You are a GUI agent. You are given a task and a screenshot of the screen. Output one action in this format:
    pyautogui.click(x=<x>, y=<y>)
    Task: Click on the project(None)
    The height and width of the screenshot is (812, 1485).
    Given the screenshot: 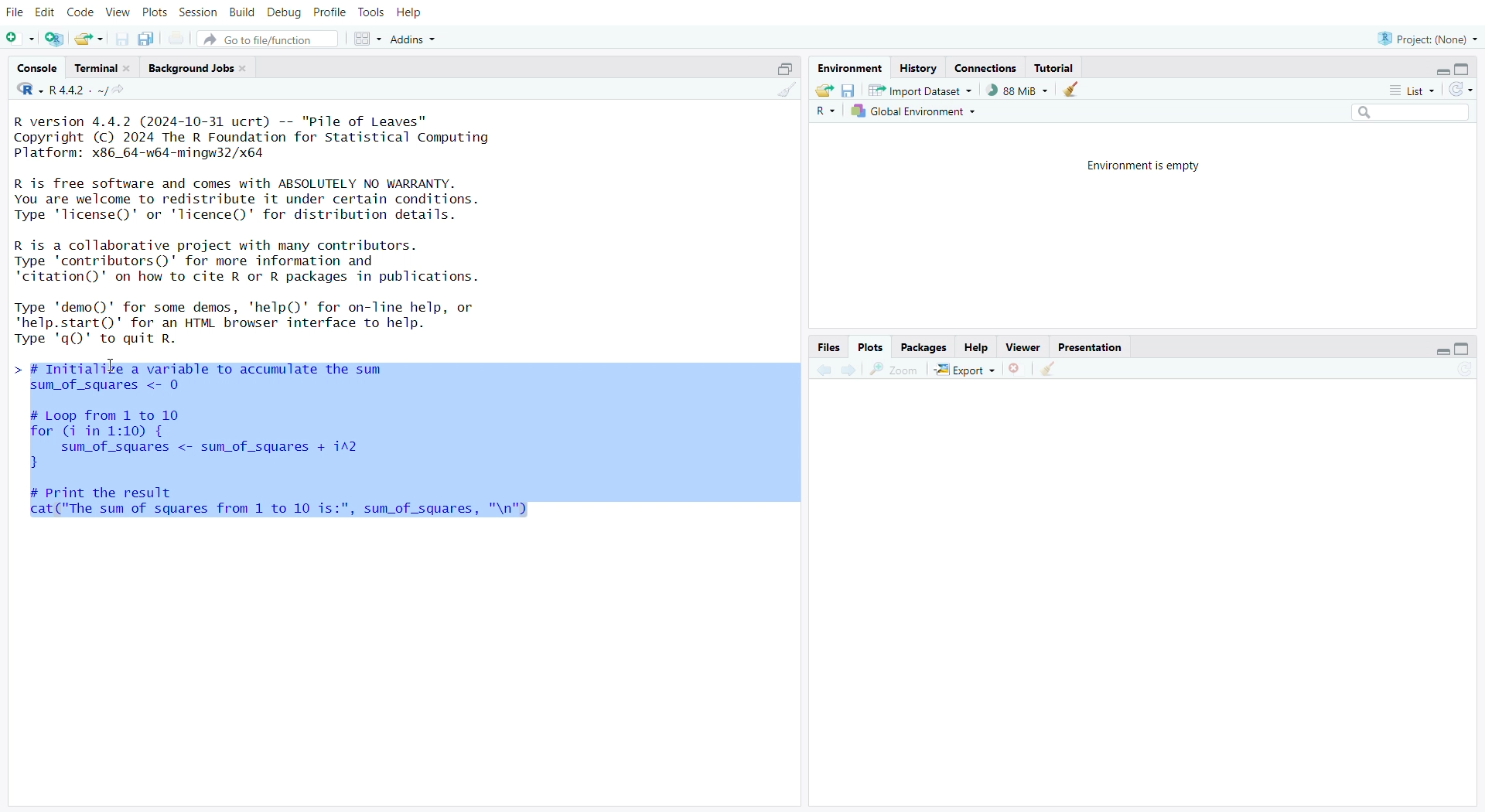 What is the action you would take?
    pyautogui.click(x=1424, y=38)
    